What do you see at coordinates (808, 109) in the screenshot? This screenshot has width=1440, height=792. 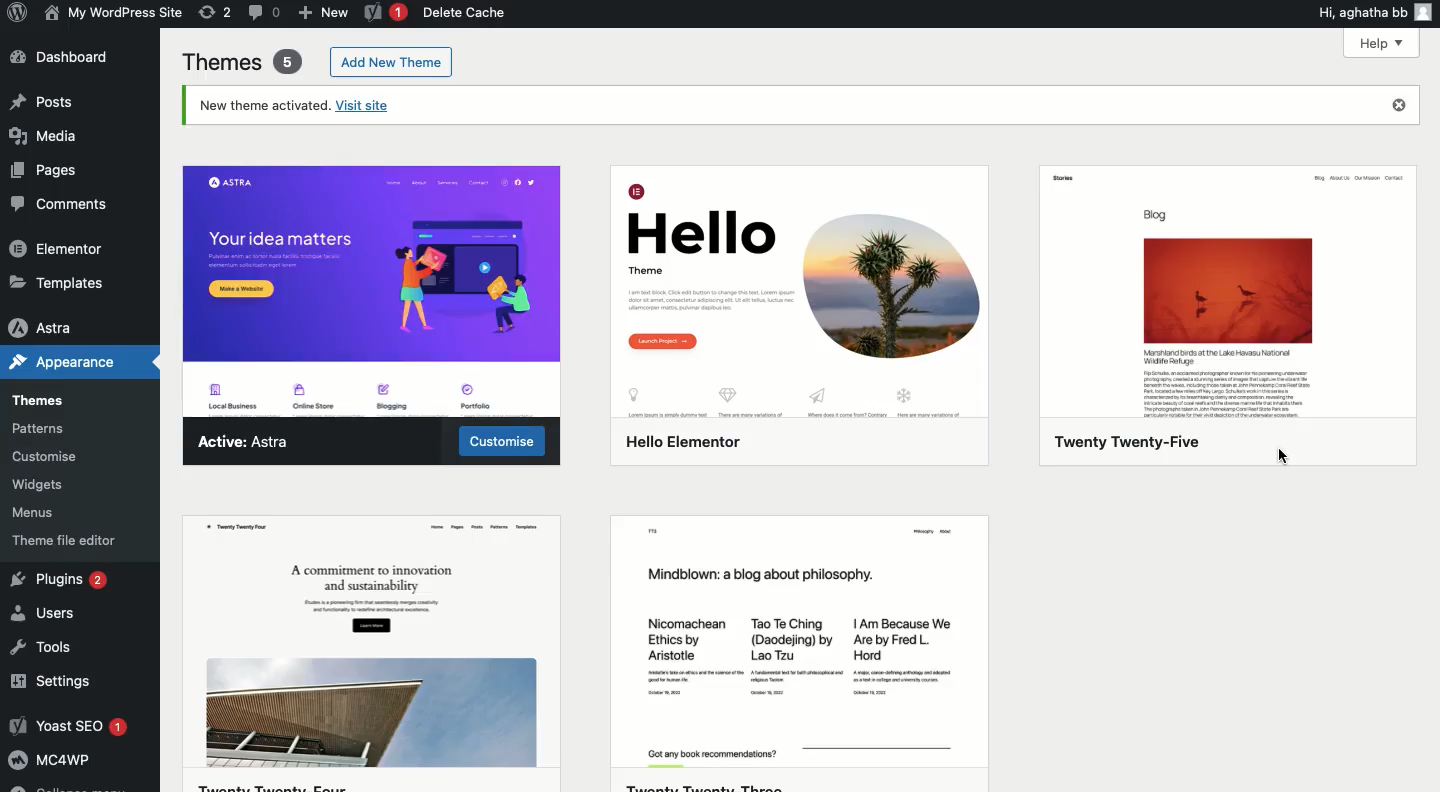 I see `New theme activated` at bounding box center [808, 109].